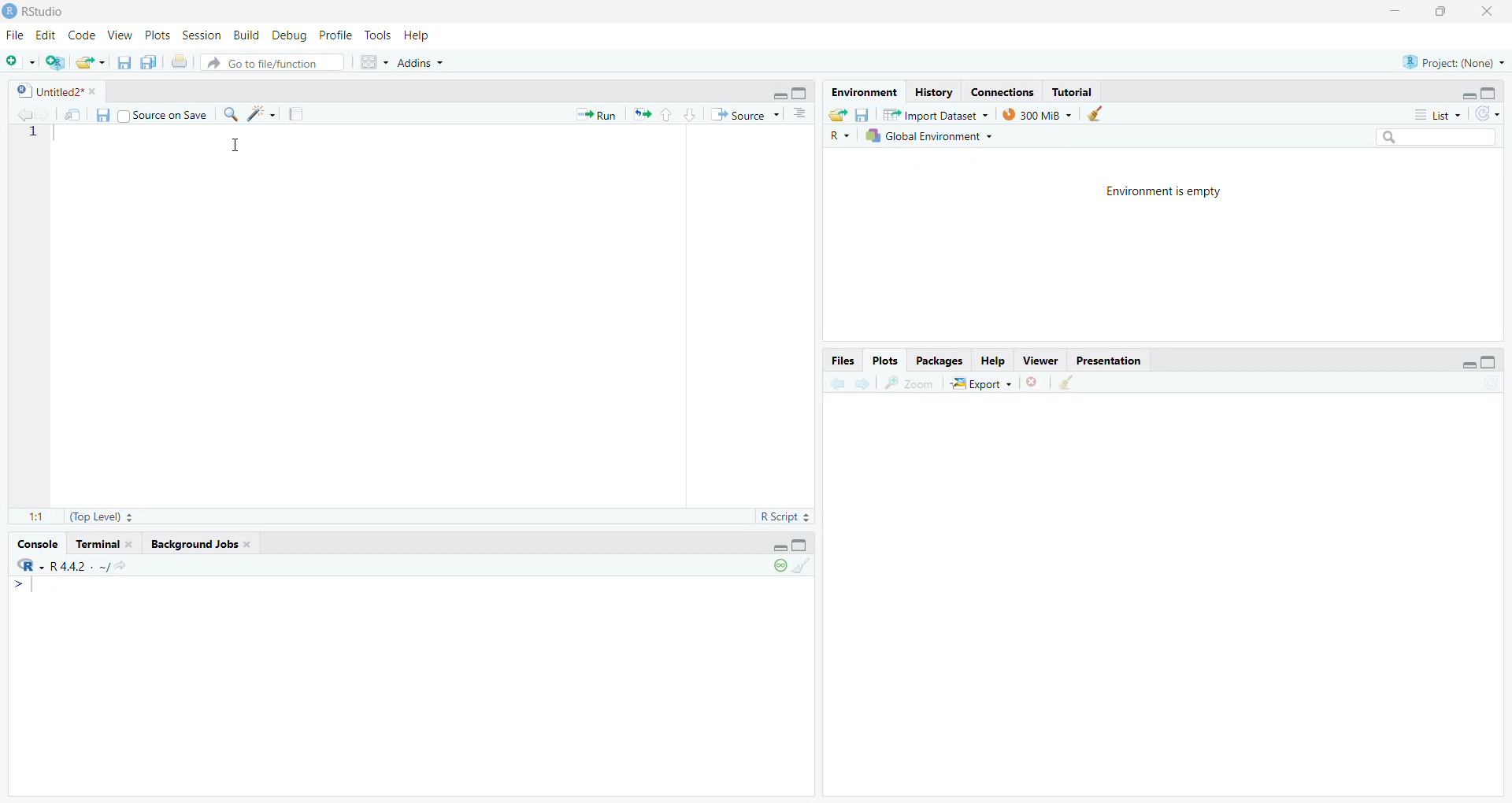 This screenshot has height=803, width=1512. Describe the element at coordinates (270, 62) in the screenshot. I see ` Go to file/function` at that location.